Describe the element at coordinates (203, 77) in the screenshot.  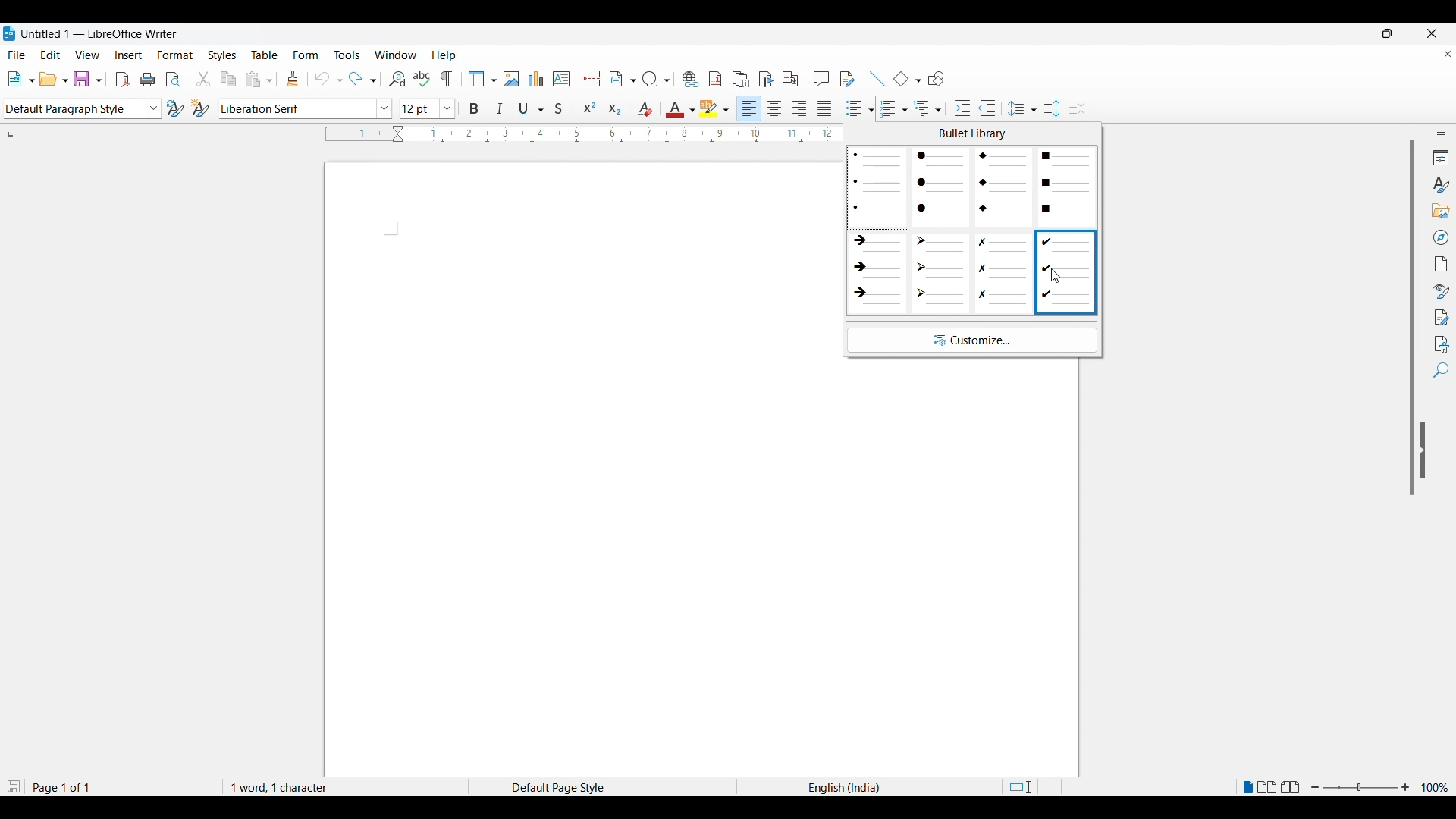
I see `cut` at that location.